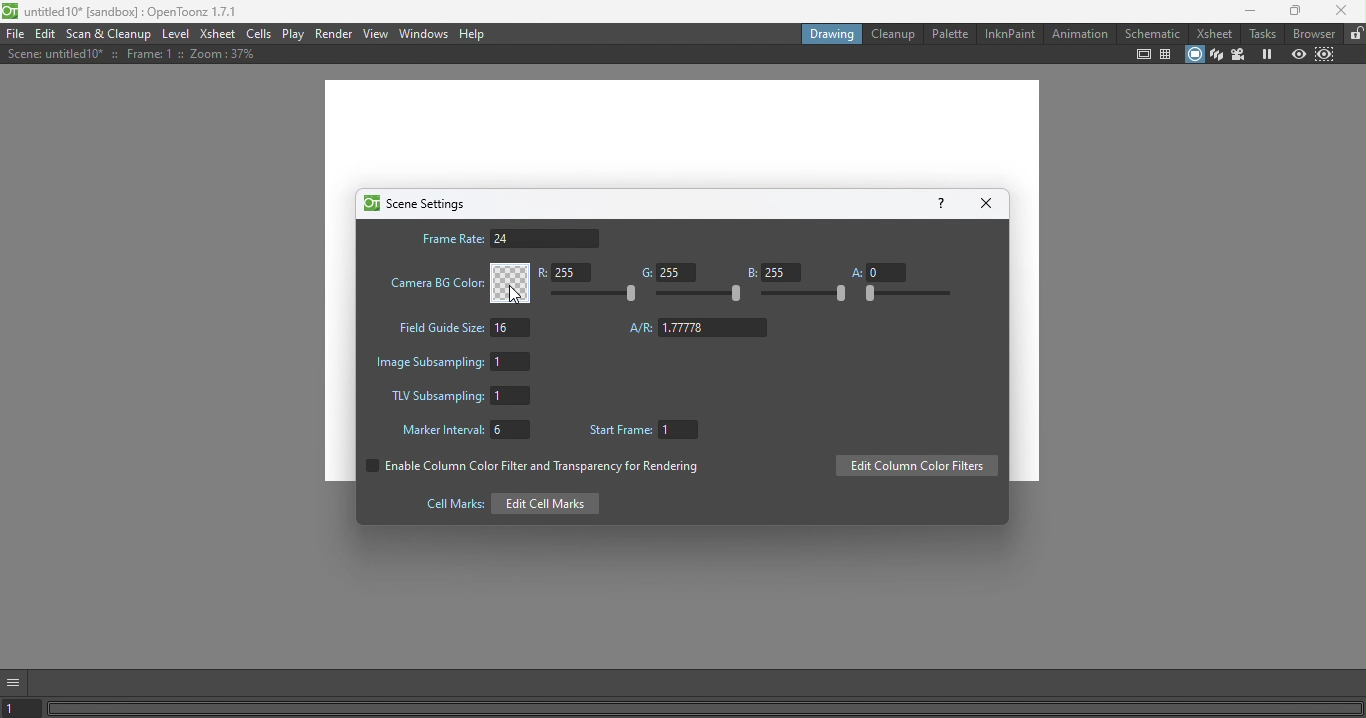 This screenshot has height=718, width=1366. What do you see at coordinates (569, 274) in the screenshot?
I see `R` at bounding box center [569, 274].